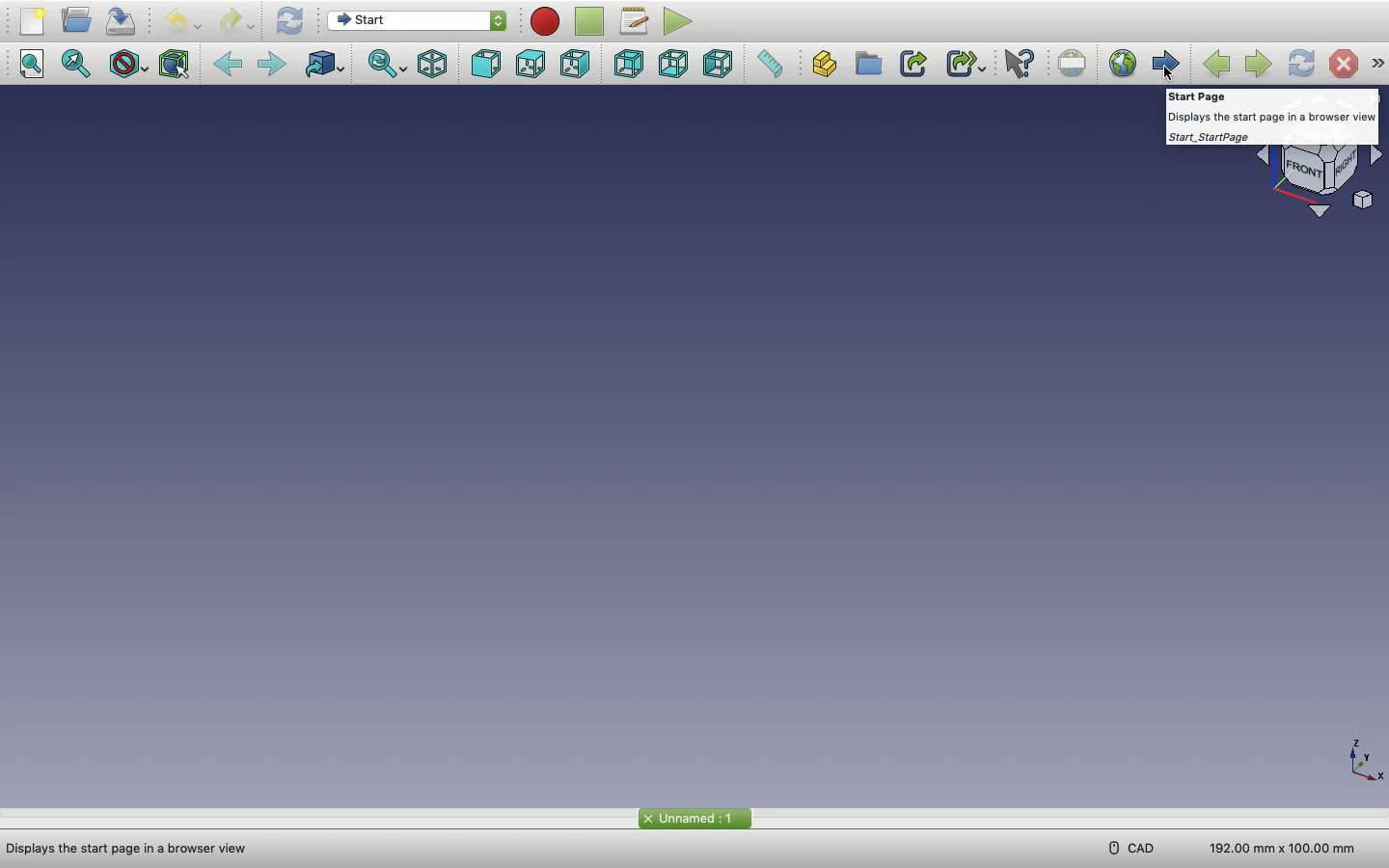 The image size is (1389, 868). Describe the element at coordinates (1378, 64) in the screenshot. I see `Navigation` at that location.